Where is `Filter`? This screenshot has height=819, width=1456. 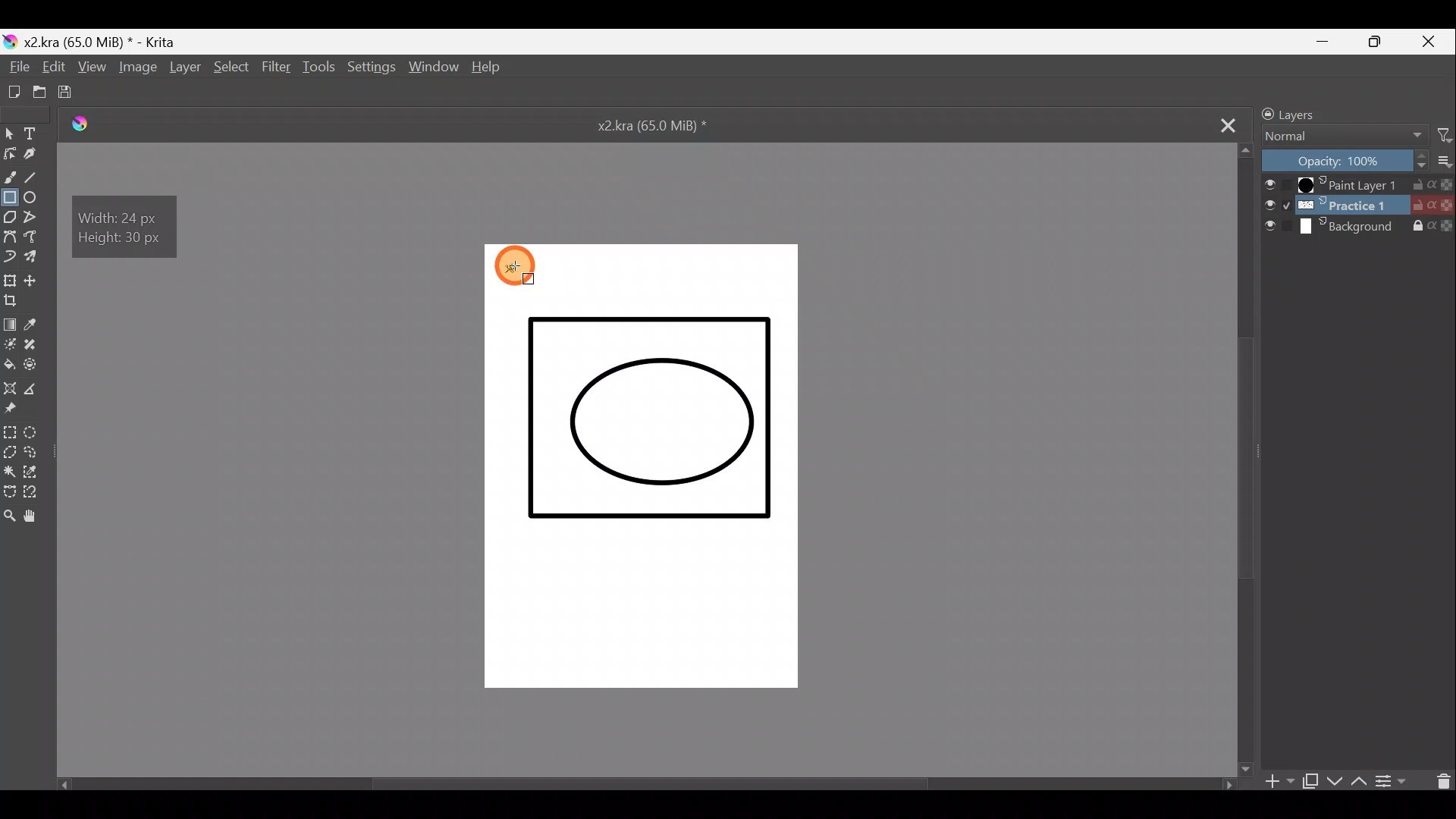
Filter is located at coordinates (1445, 133).